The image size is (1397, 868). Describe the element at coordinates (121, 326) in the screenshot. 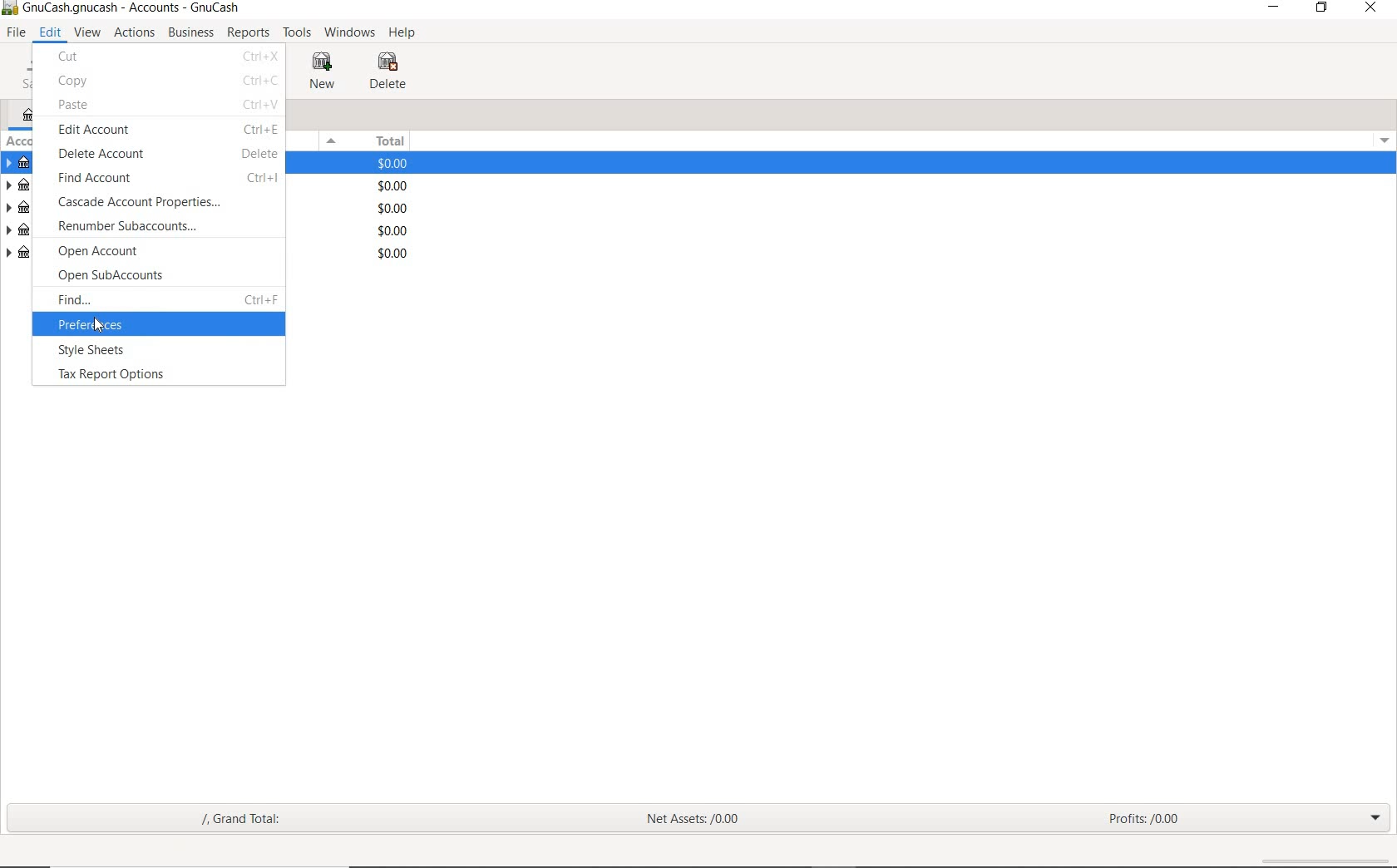

I see `preferences` at that location.